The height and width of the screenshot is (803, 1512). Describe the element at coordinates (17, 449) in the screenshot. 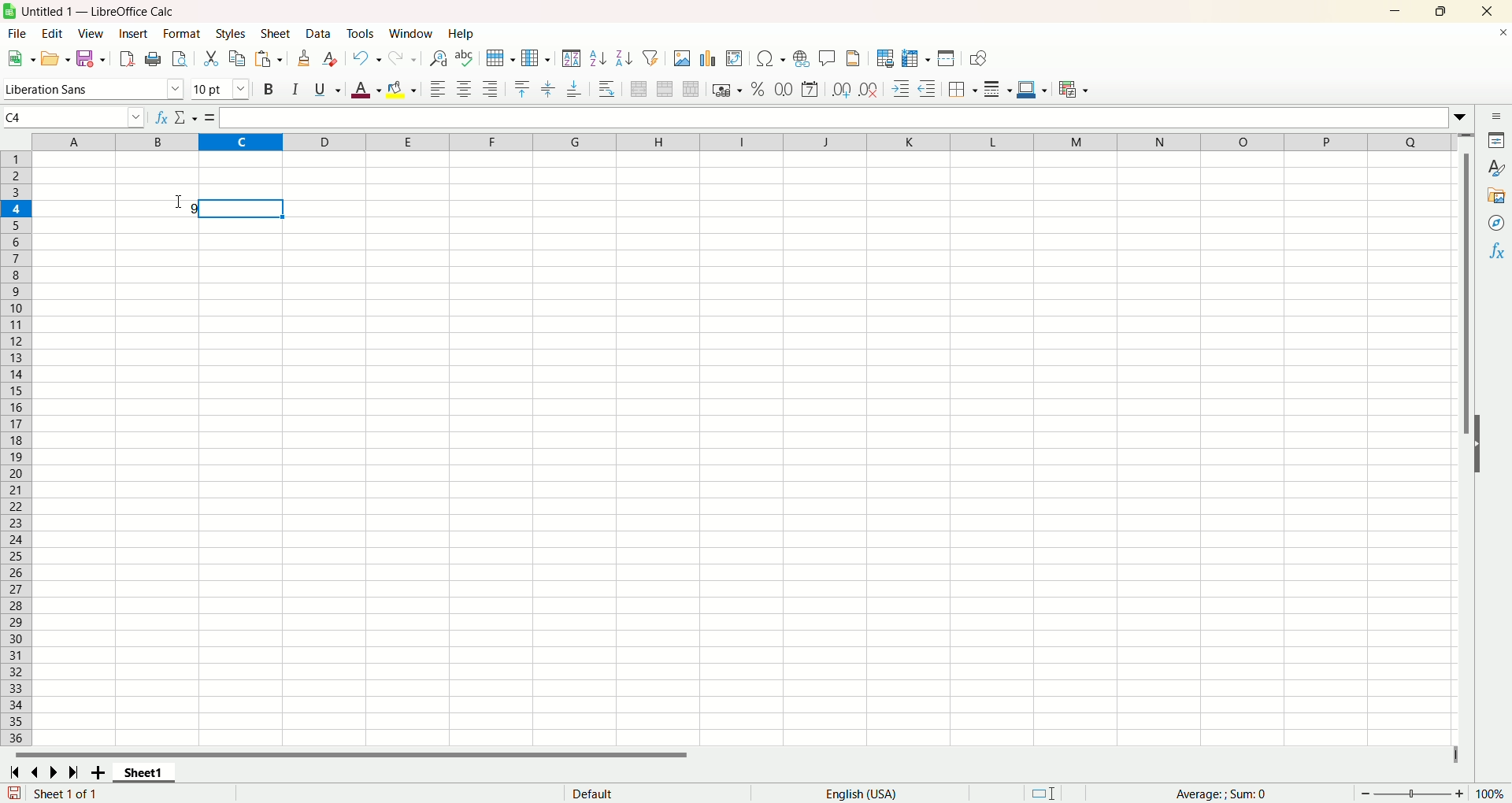

I see `row number` at that location.